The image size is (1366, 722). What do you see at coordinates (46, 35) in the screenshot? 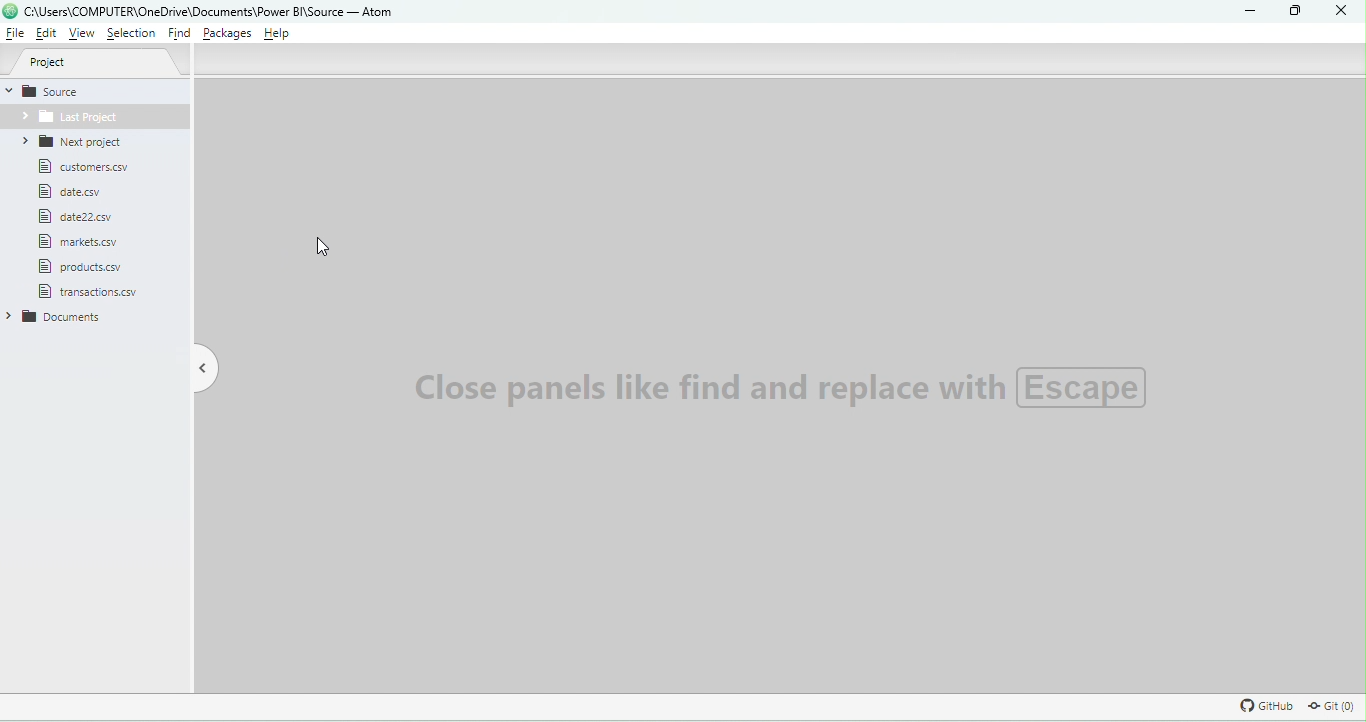
I see `Edit` at bounding box center [46, 35].